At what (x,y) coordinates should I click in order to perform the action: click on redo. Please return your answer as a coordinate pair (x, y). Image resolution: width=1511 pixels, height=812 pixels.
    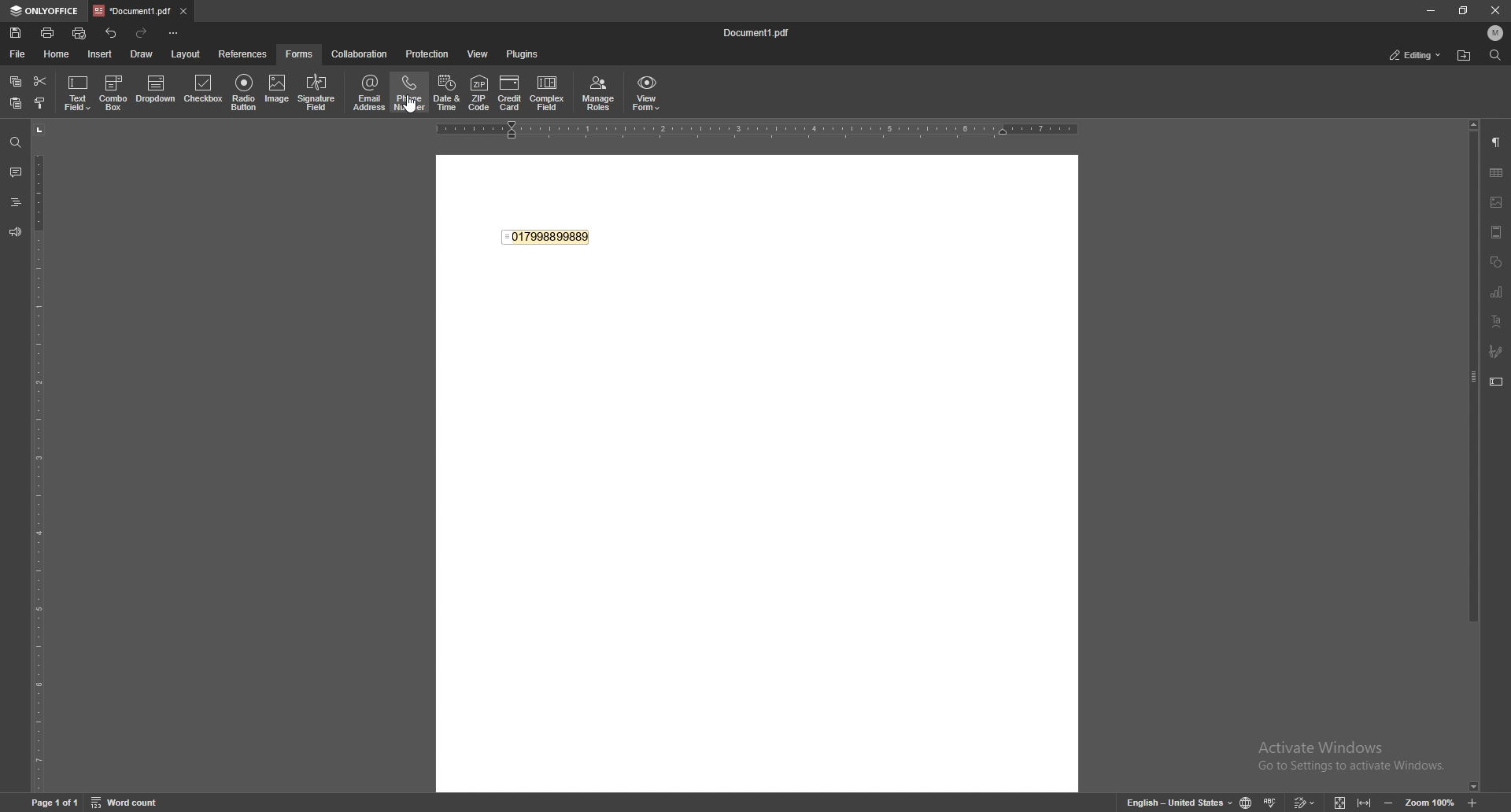
    Looking at the image, I should click on (142, 33).